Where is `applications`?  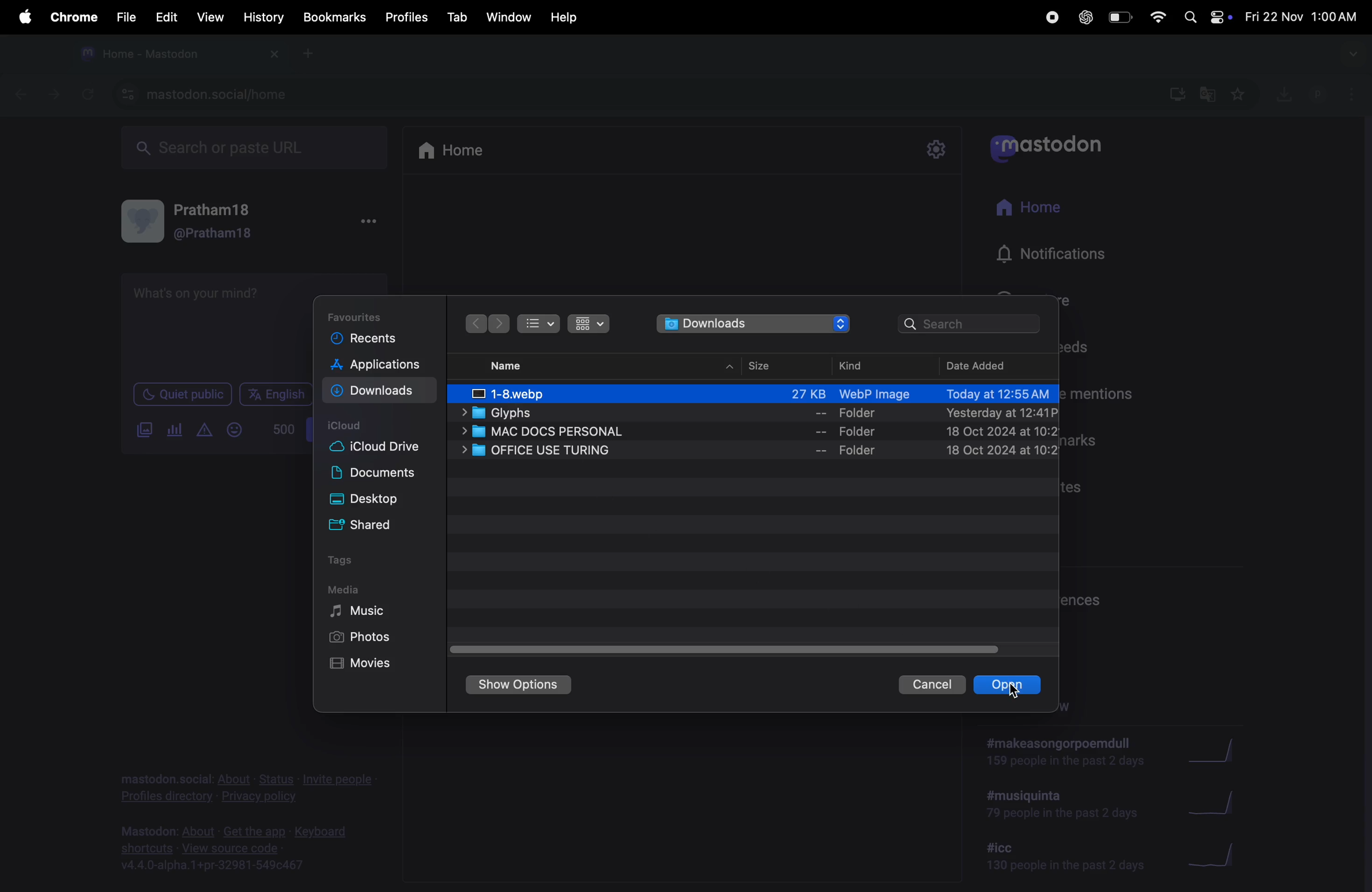 applications is located at coordinates (376, 366).